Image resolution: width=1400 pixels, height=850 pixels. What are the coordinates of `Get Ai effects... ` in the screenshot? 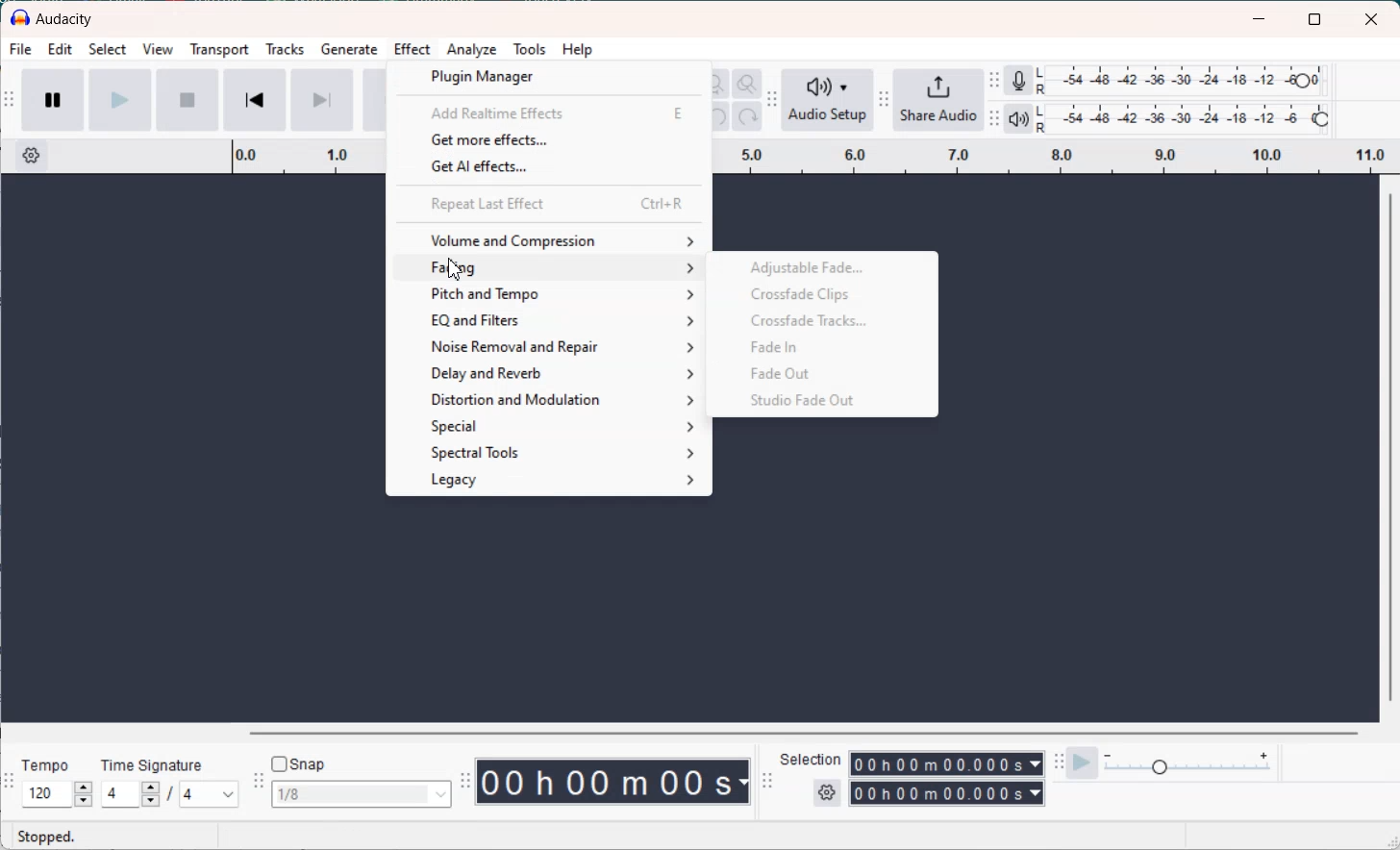 It's located at (548, 168).